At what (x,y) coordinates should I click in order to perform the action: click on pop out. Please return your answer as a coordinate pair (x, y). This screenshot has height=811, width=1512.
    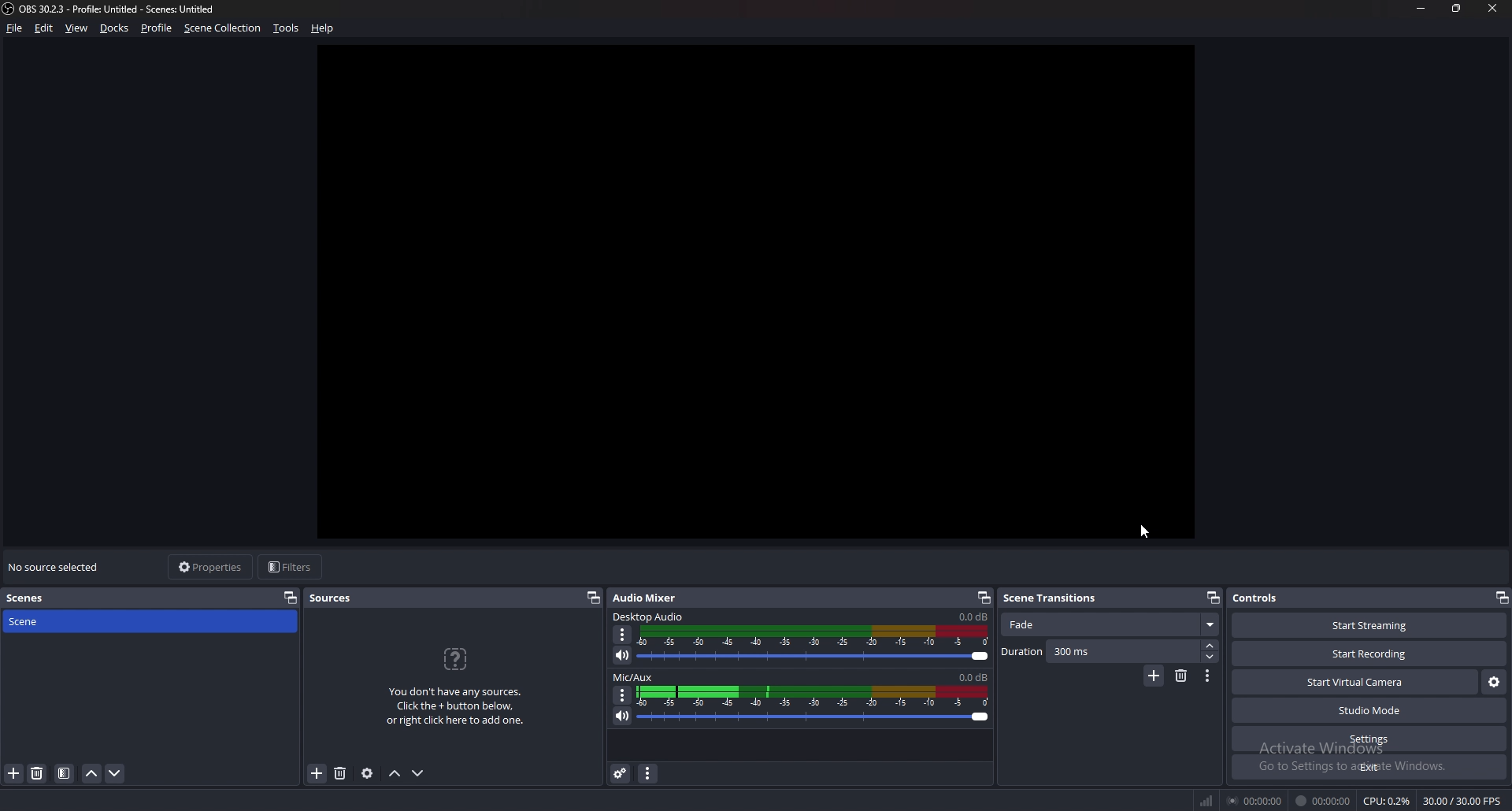
    Looking at the image, I should click on (291, 598).